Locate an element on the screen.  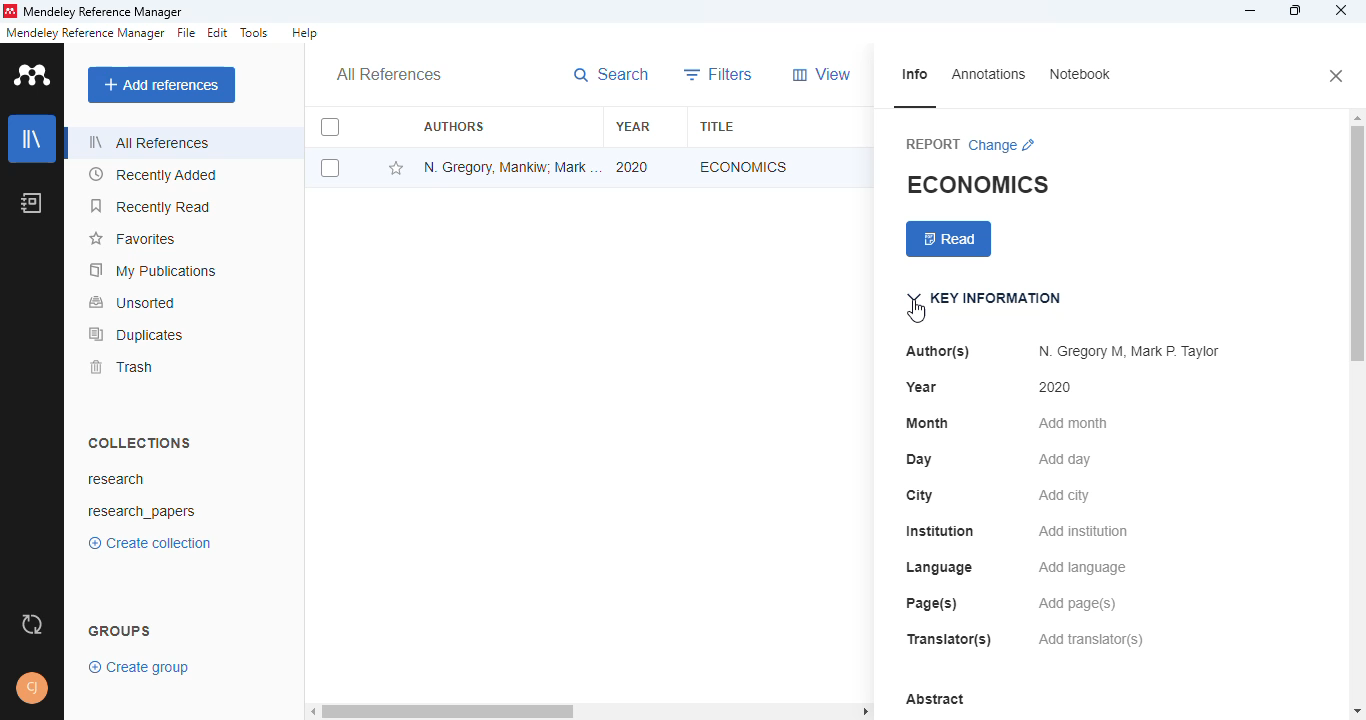
notebook is located at coordinates (32, 203).